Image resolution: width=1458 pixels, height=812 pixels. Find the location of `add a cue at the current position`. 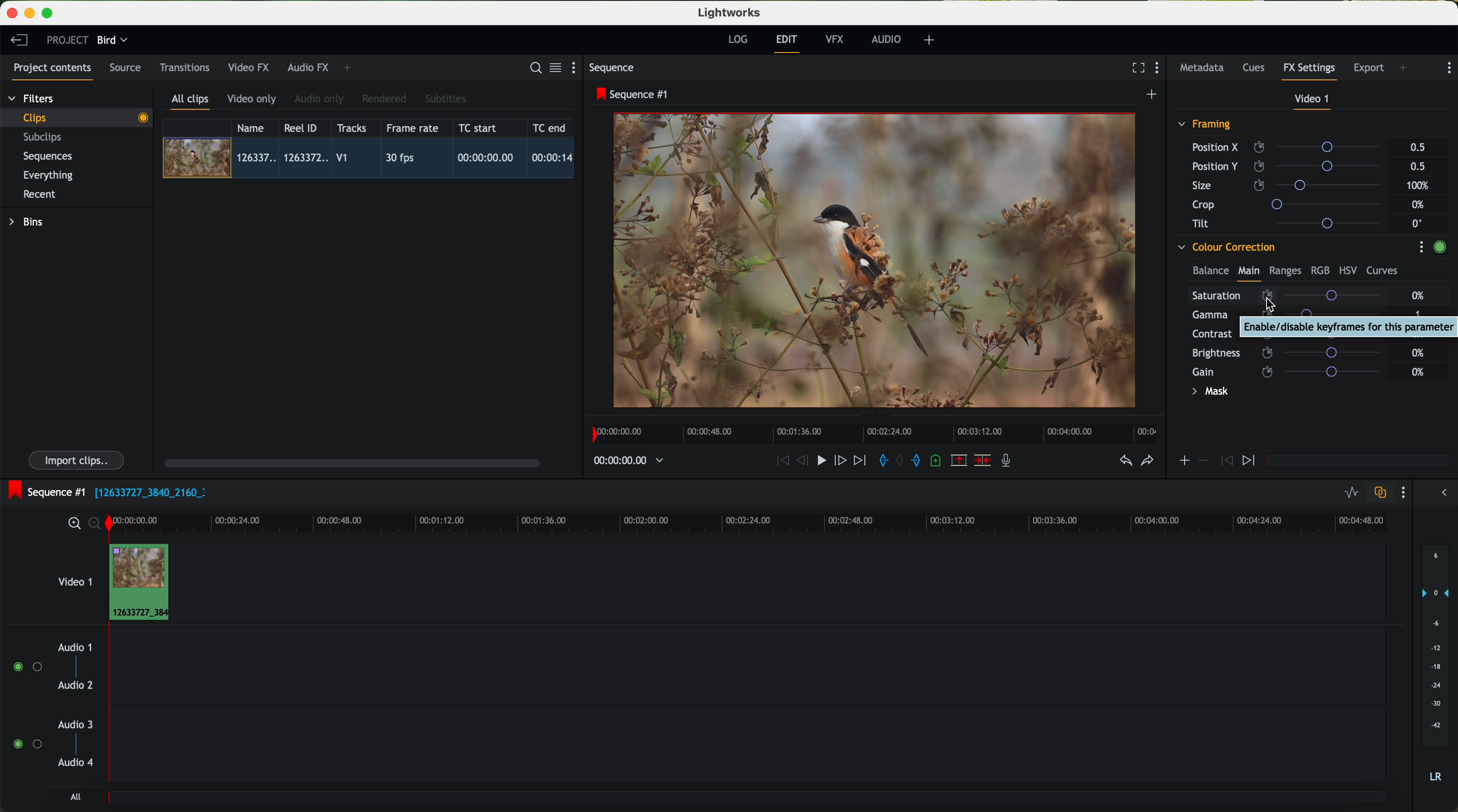

add a cue at the current position is located at coordinates (937, 461).